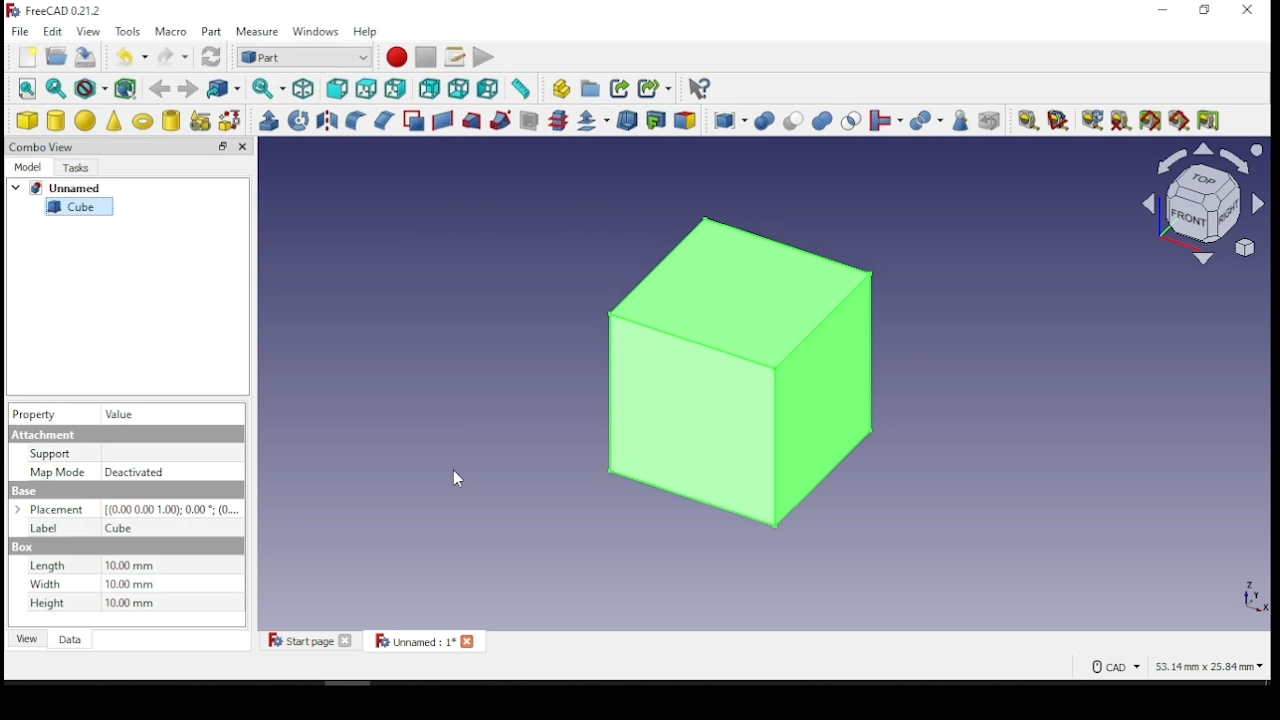  Describe the element at coordinates (211, 57) in the screenshot. I see `refresh` at that location.